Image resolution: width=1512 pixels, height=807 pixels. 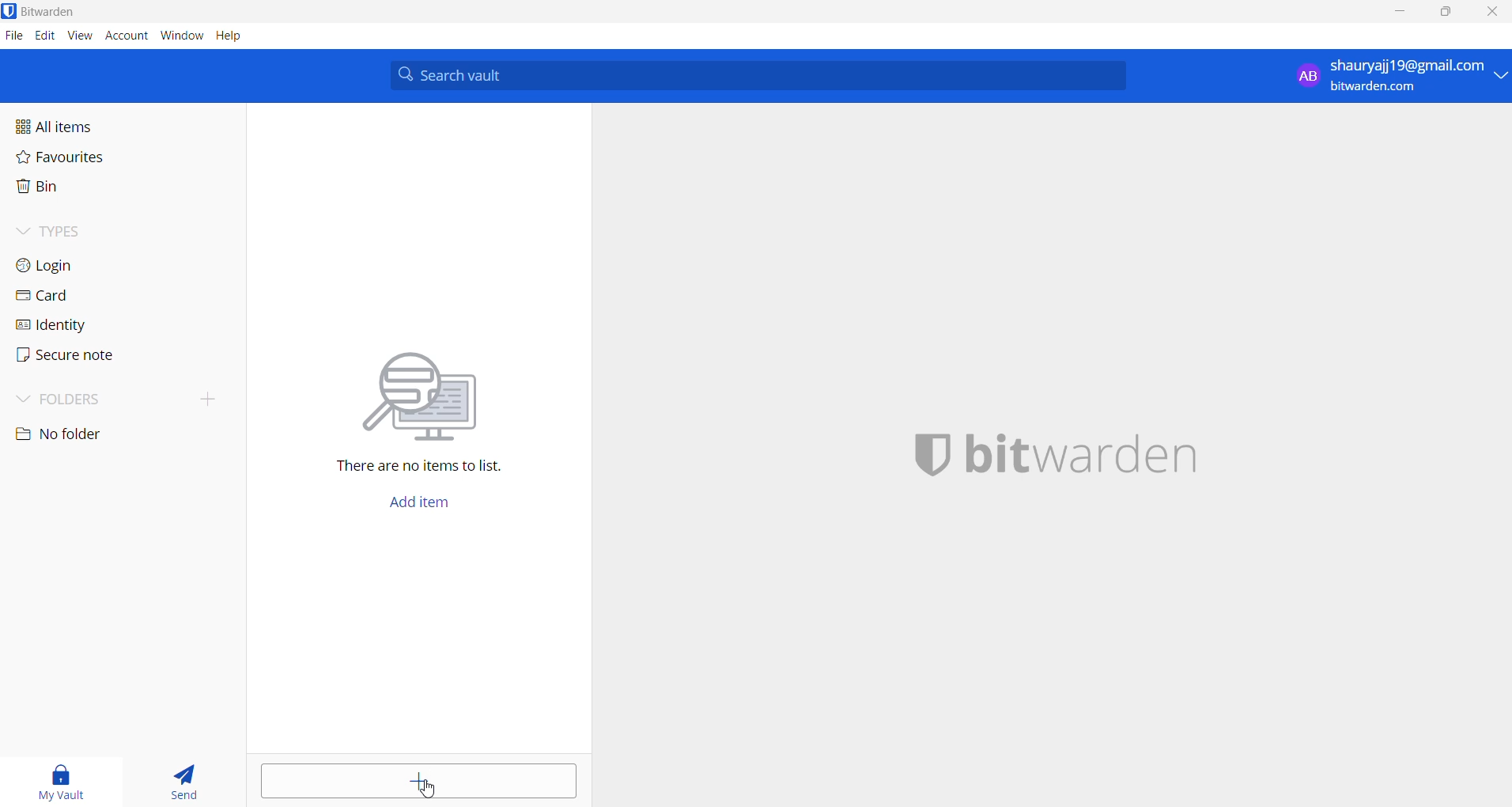 What do you see at coordinates (98, 237) in the screenshot?
I see `types` at bounding box center [98, 237].